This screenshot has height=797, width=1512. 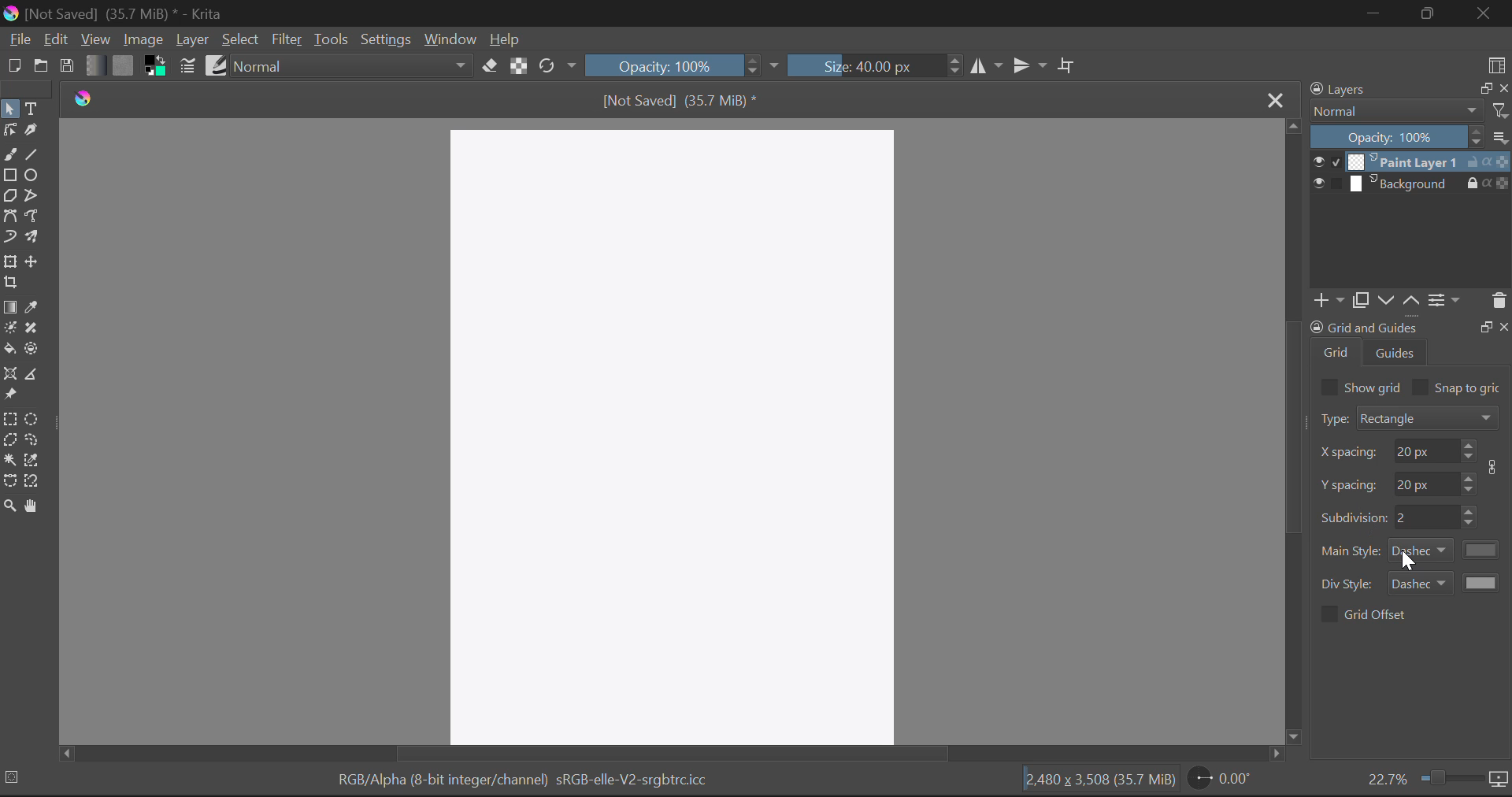 What do you see at coordinates (10, 176) in the screenshot?
I see `Rectangle` at bounding box center [10, 176].